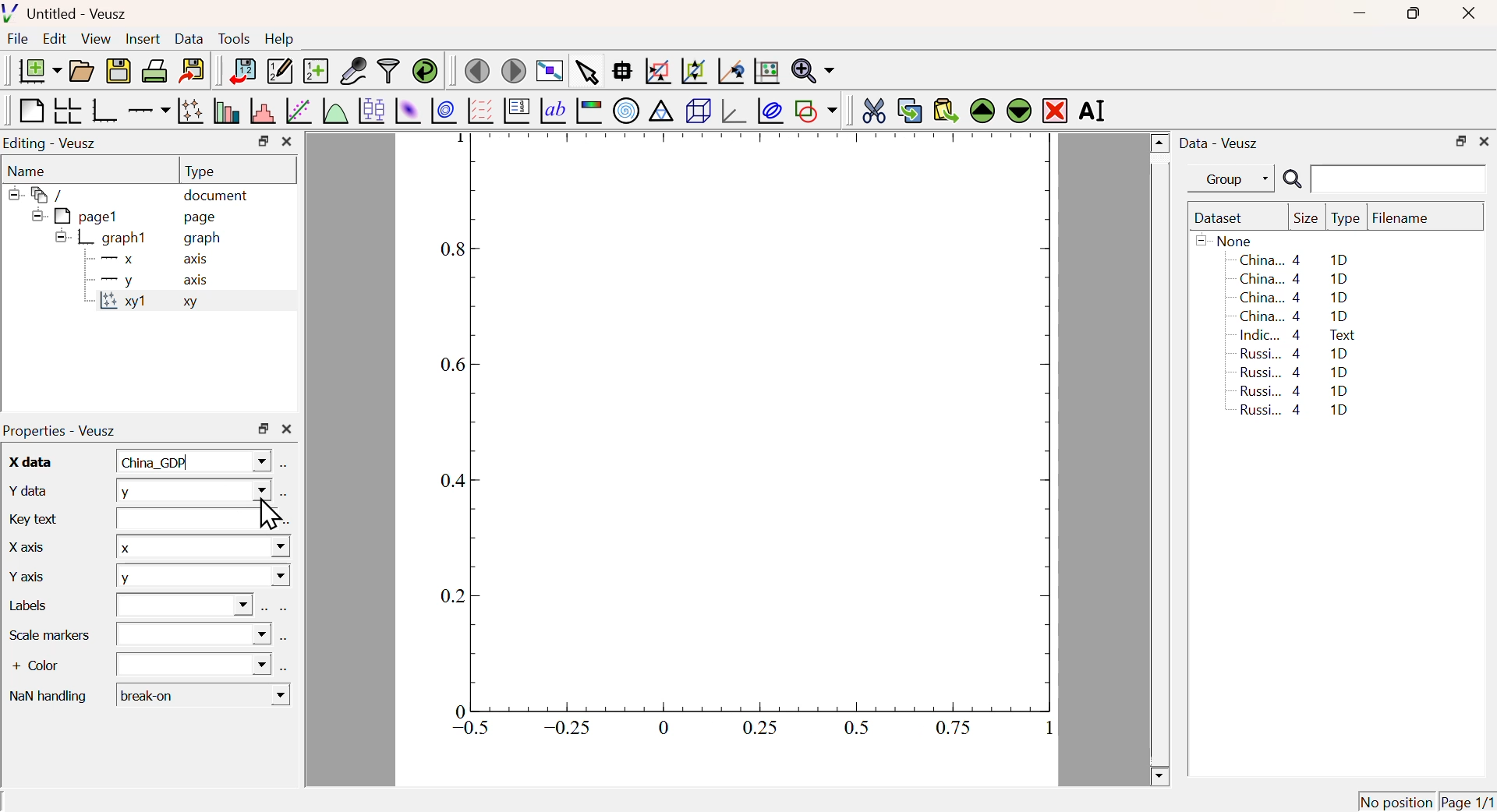  What do you see at coordinates (425, 69) in the screenshot?
I see `Reload linked dataset` at bounding box center [425, 69].